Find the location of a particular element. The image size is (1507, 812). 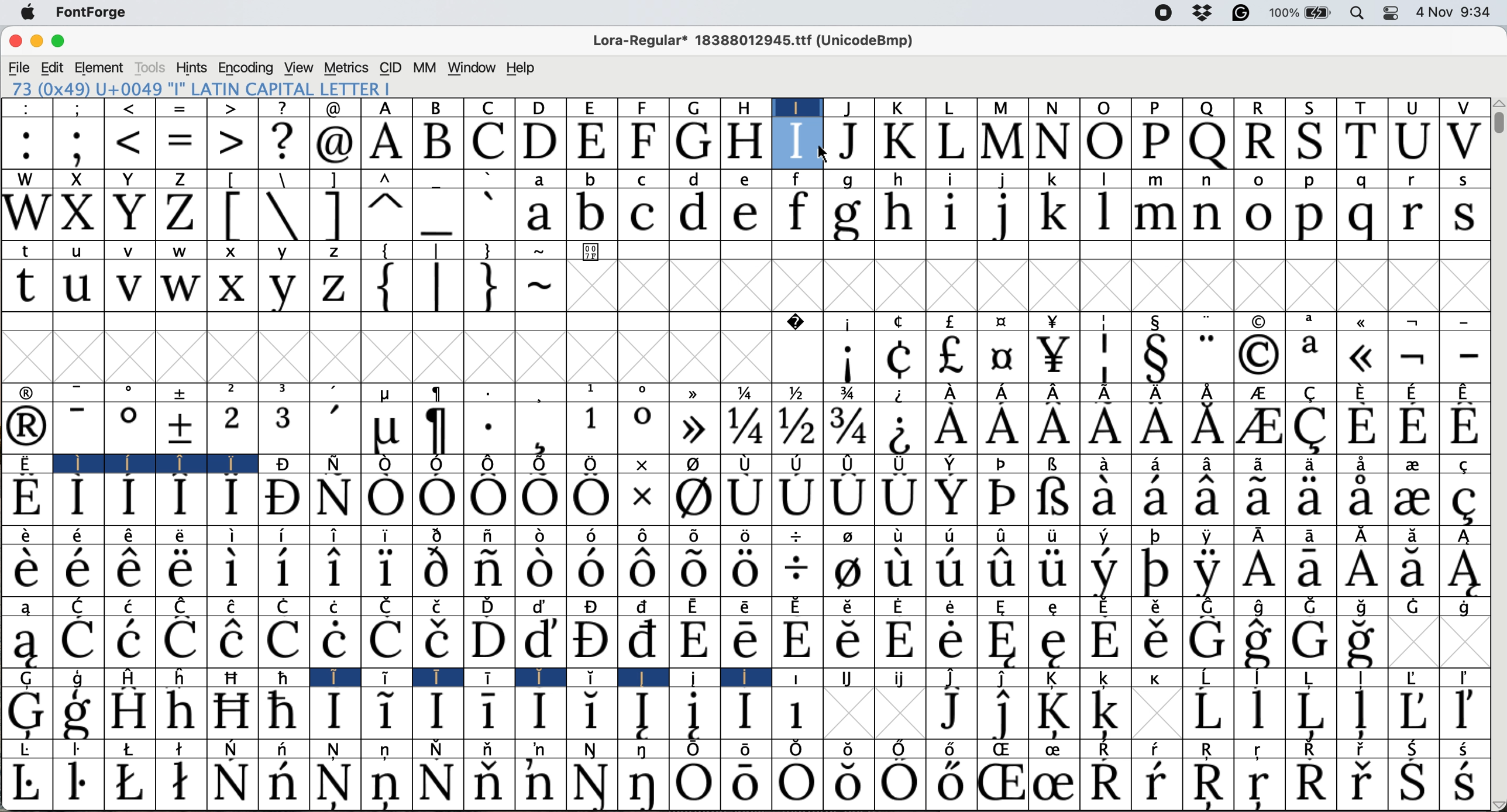

u is located at coordinates (78, 253).